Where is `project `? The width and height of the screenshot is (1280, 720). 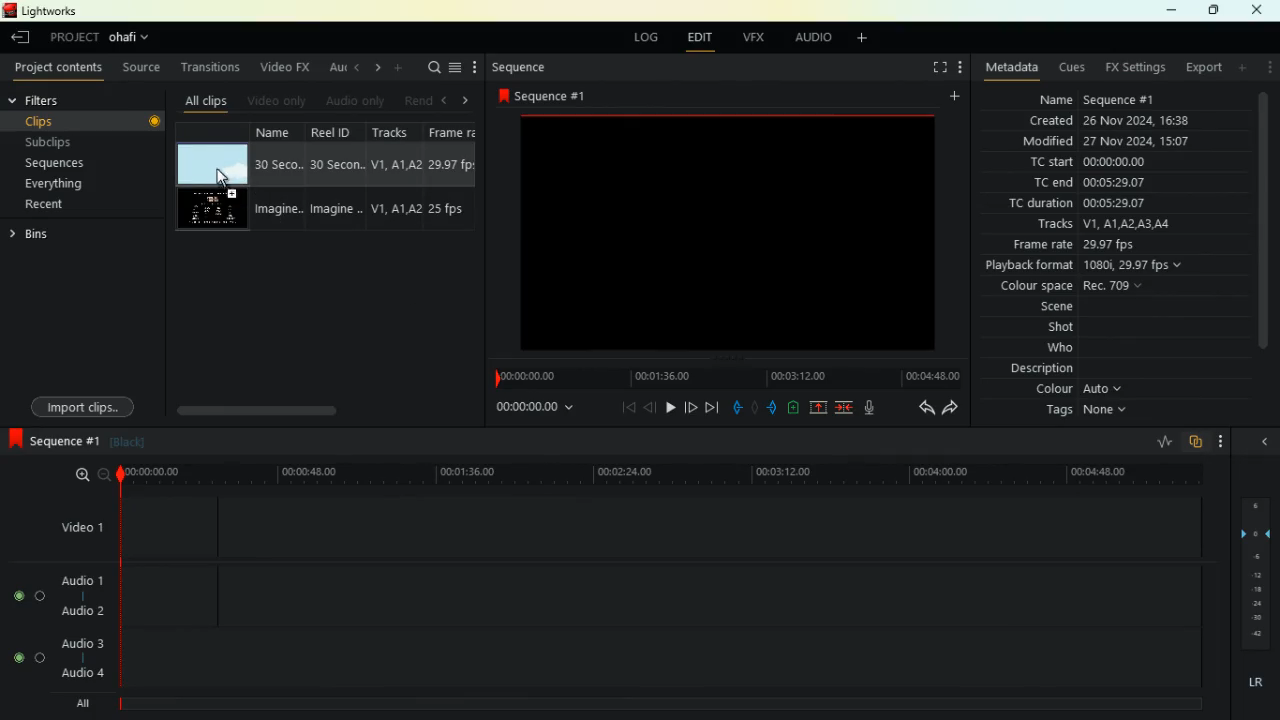 project  is located at coordinates (101, 39).